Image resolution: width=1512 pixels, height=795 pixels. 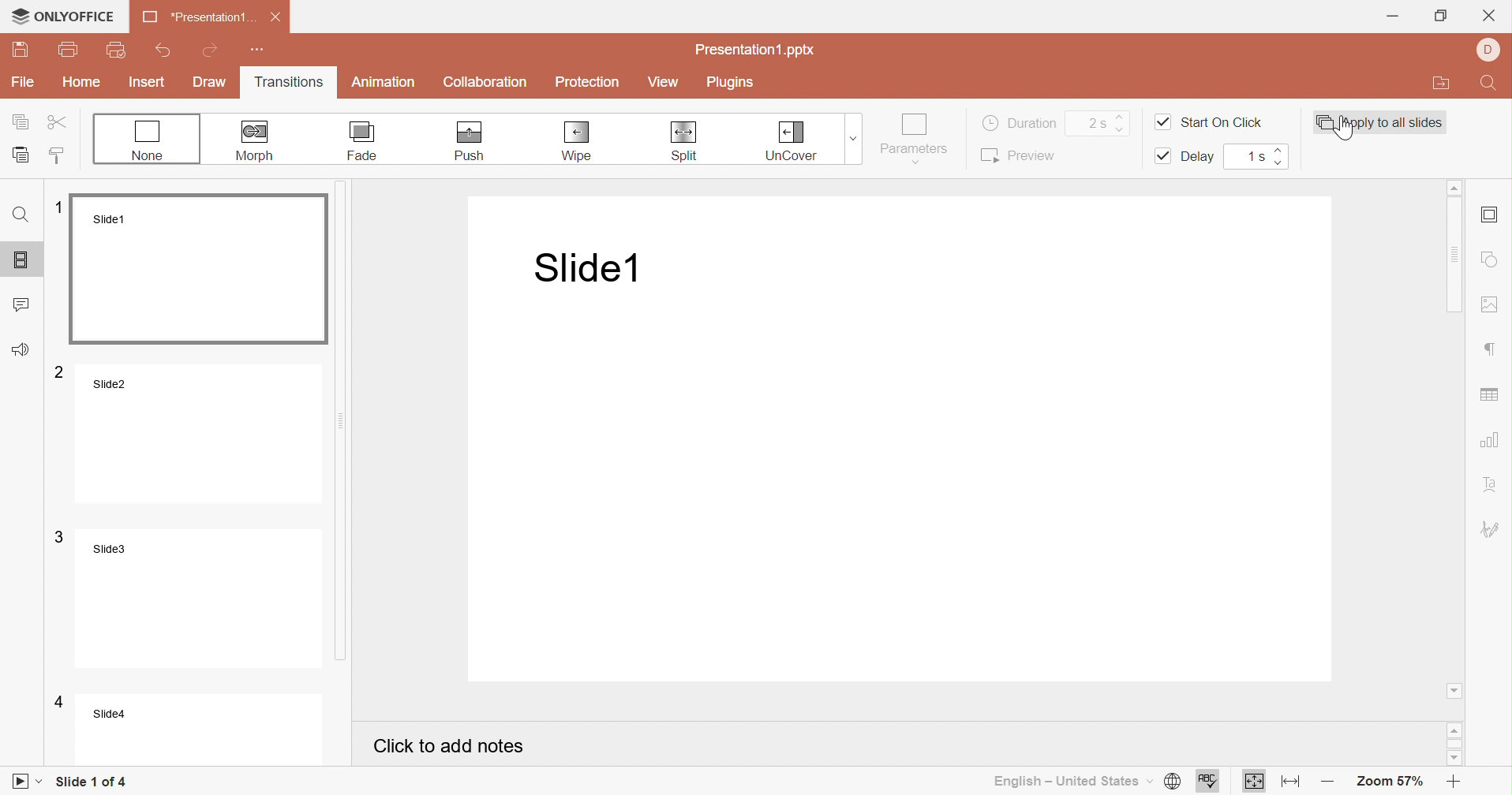 What do you see at coordinates (354, 425) in the screenshot?
I see `Scroll bar` at bounding box center [354, 425].